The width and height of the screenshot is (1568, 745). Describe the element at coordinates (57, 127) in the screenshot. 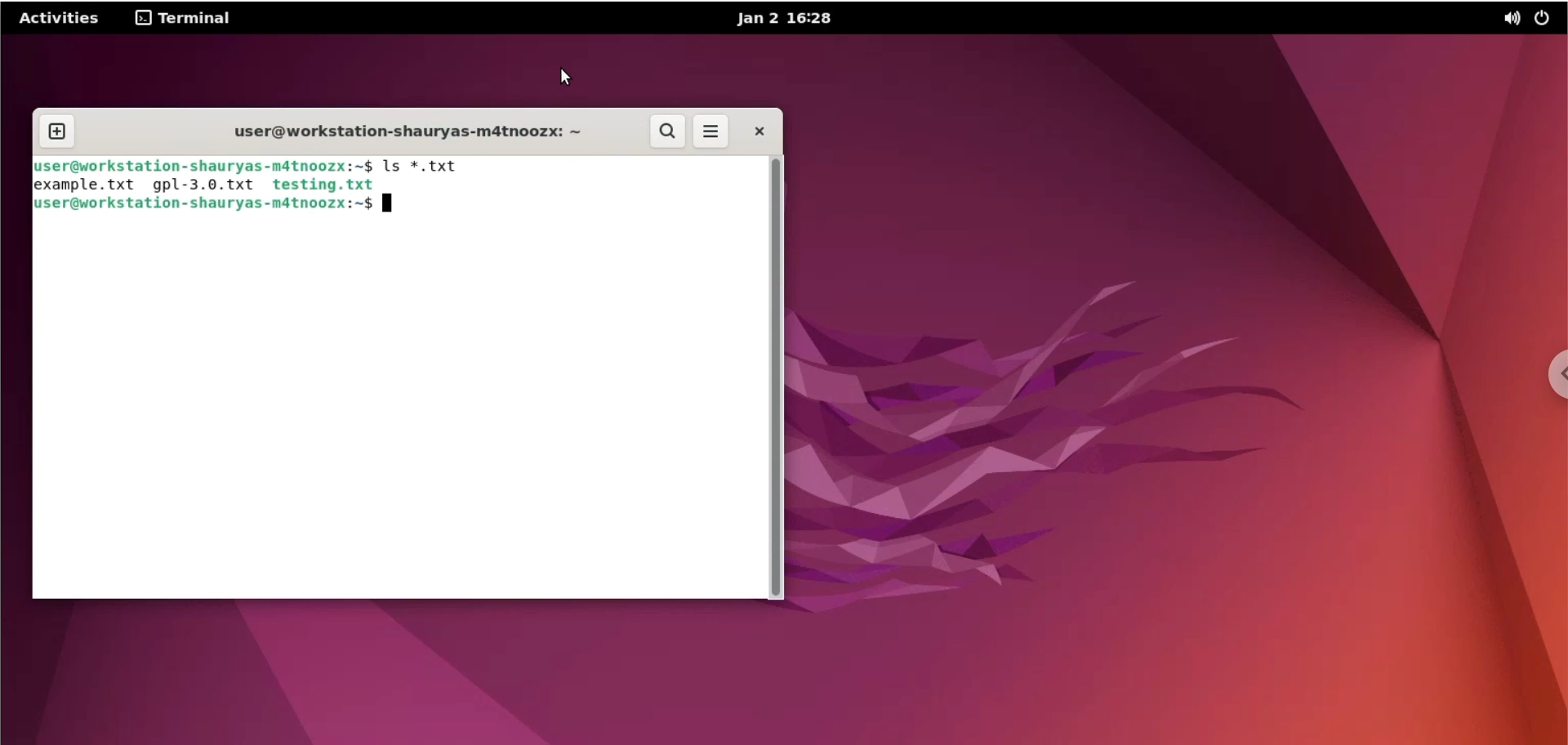

I see `new tab` at that location.